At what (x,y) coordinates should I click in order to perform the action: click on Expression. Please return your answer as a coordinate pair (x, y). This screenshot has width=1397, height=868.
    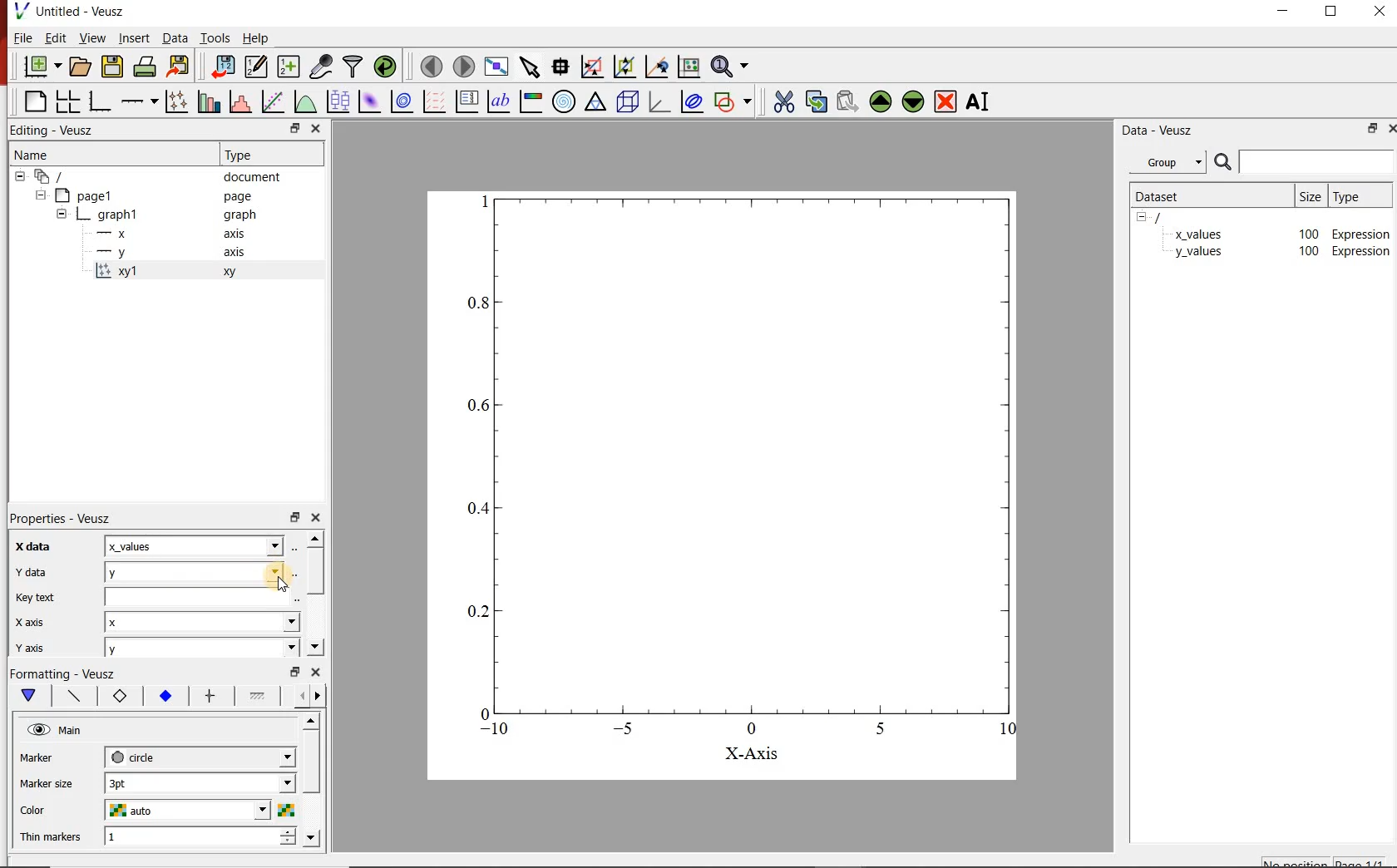
    Looking at the image, I should click on (1361, 252).